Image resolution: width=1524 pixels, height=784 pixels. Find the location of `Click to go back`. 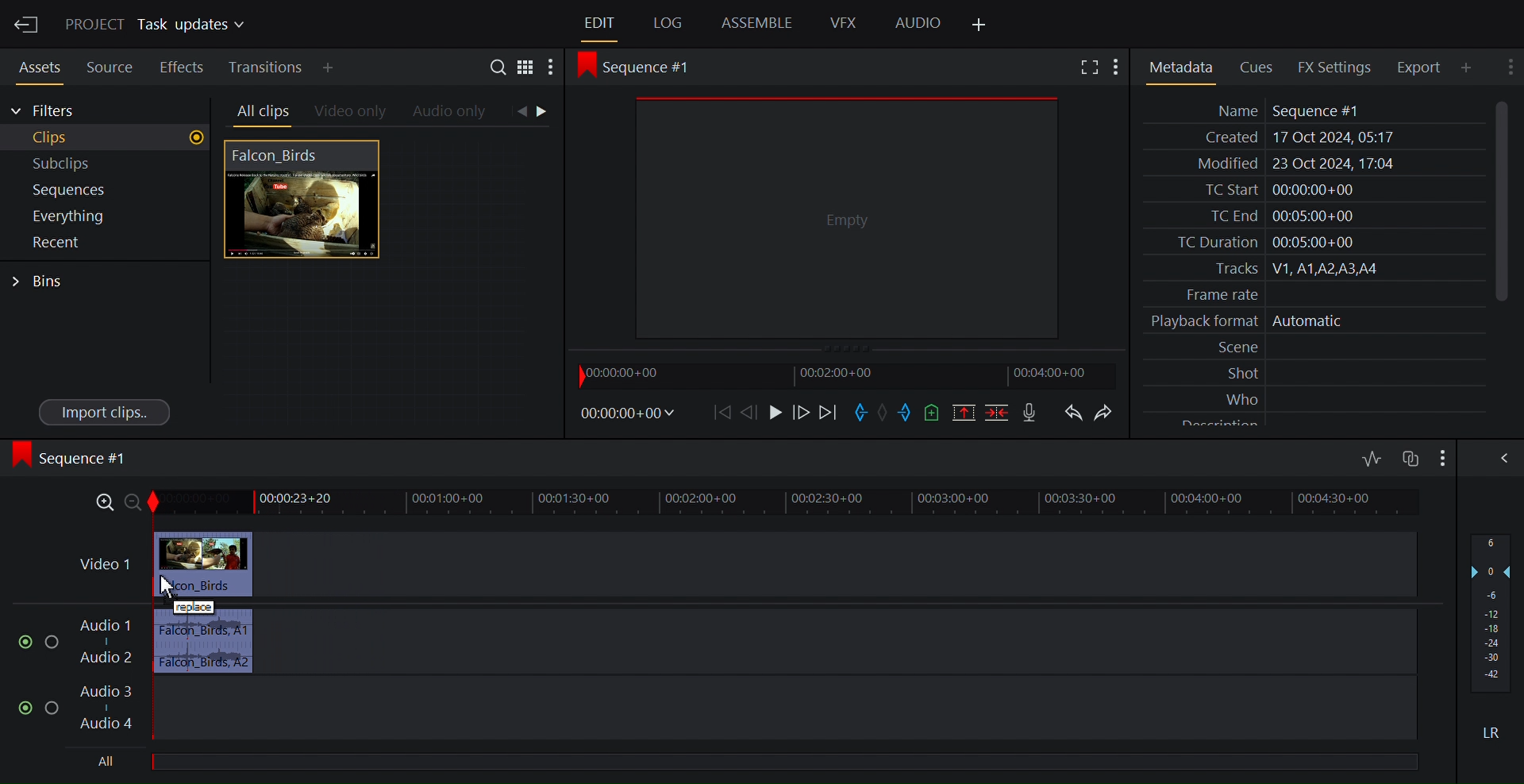

Click to go back is located at coordinates (521, 112).